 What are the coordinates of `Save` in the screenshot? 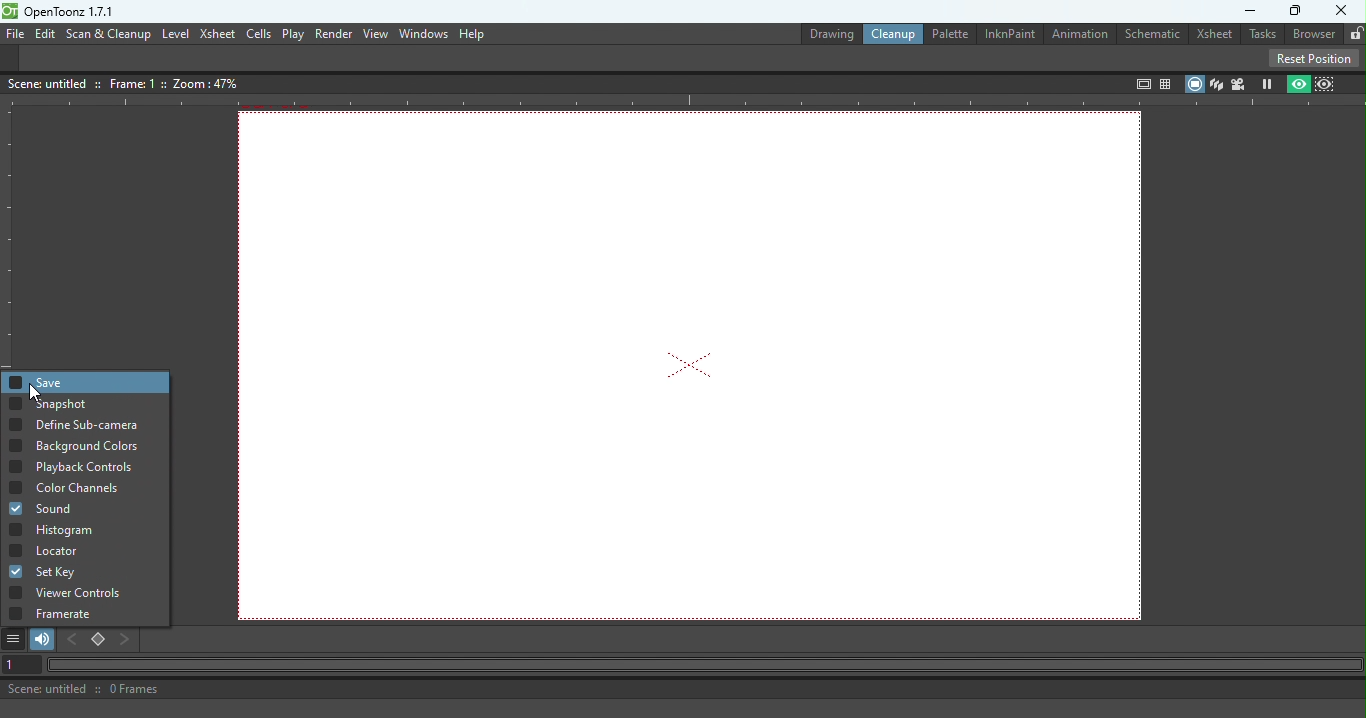 It's located at (36, 382).